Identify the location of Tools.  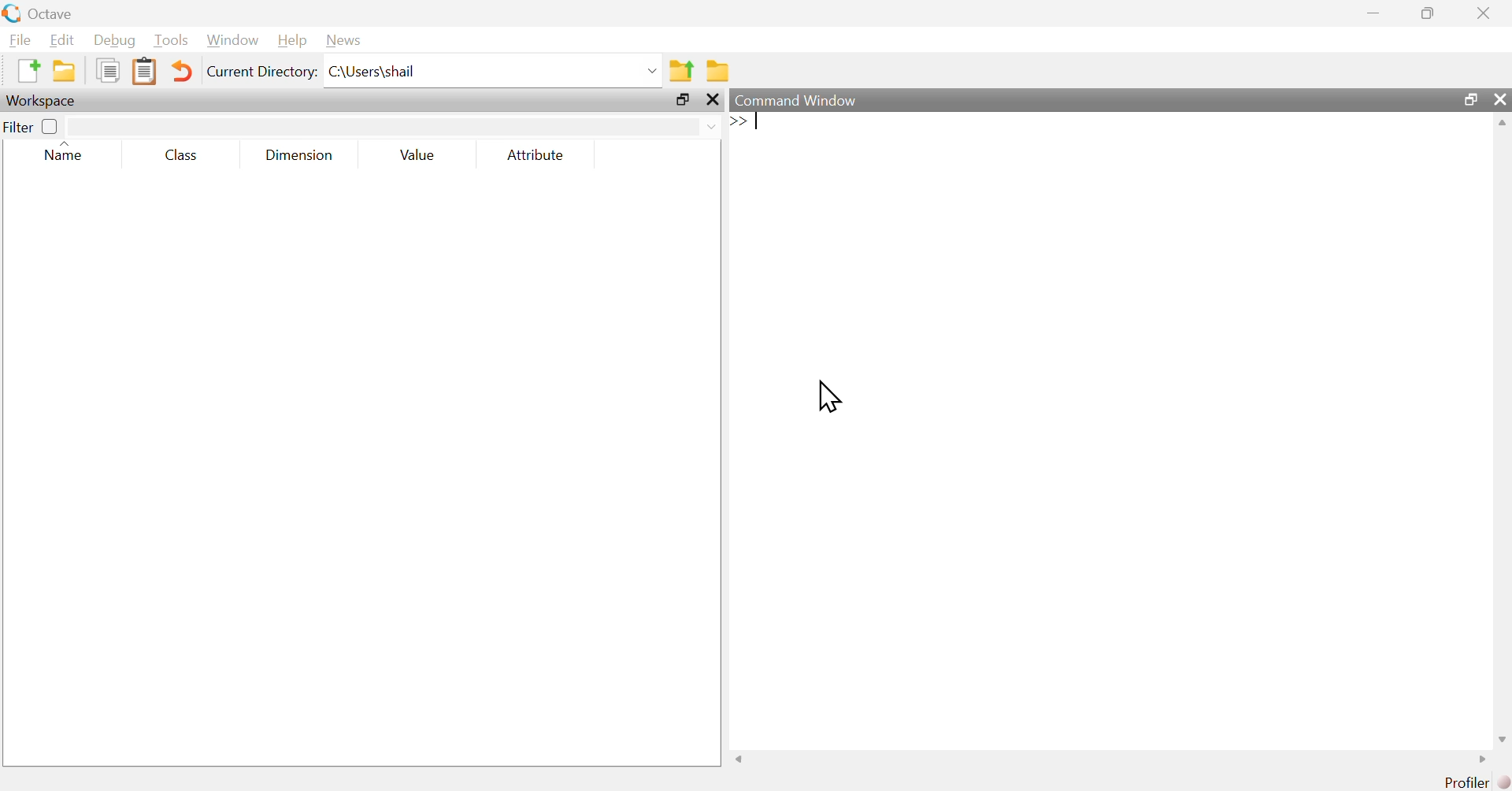
(169, 41).